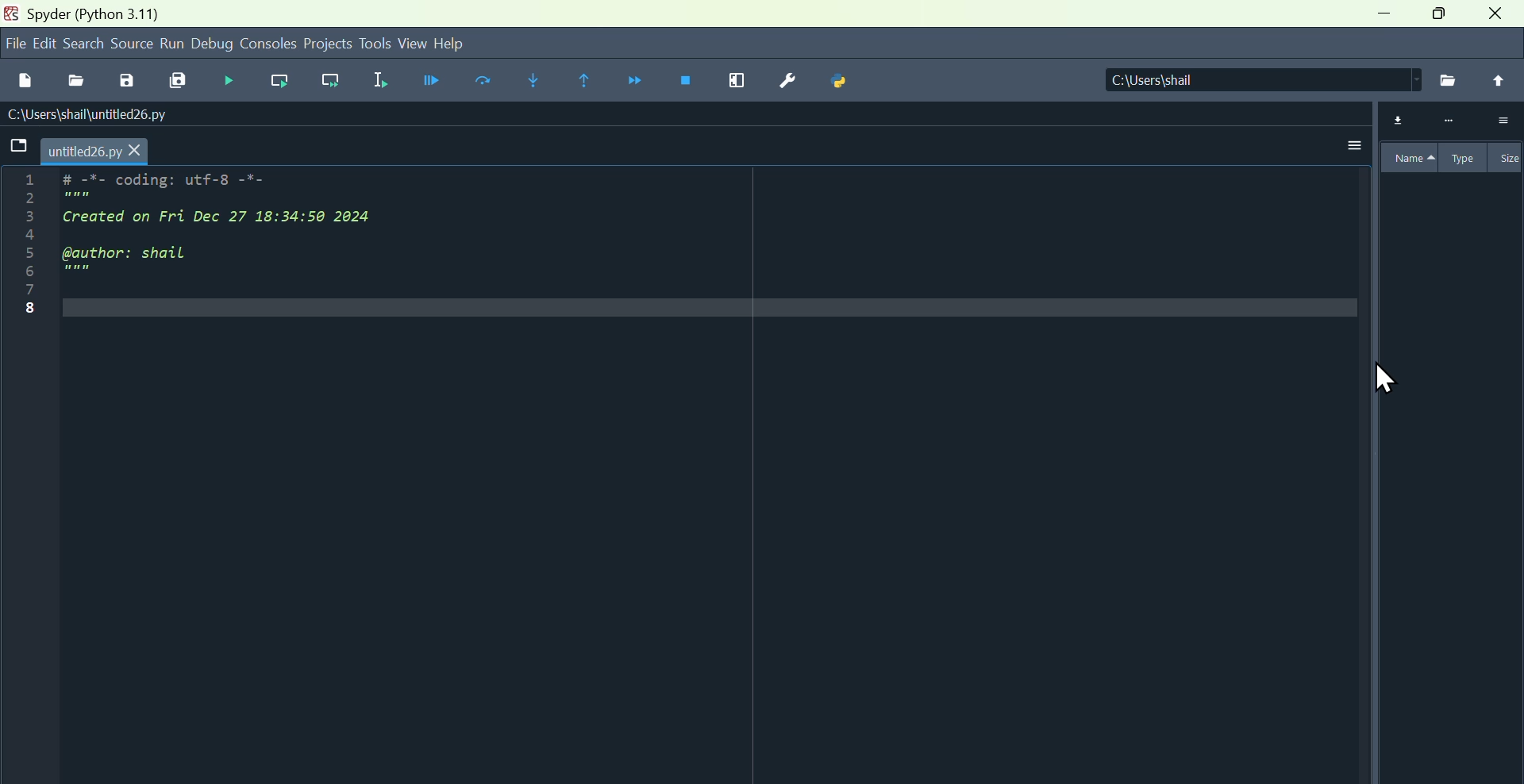 The height and width of the screenshot is (784, 1524). What do you see at coordinates (1350, 140) in the screenshot?
I see `More options` at bounding box center [1350, 140].